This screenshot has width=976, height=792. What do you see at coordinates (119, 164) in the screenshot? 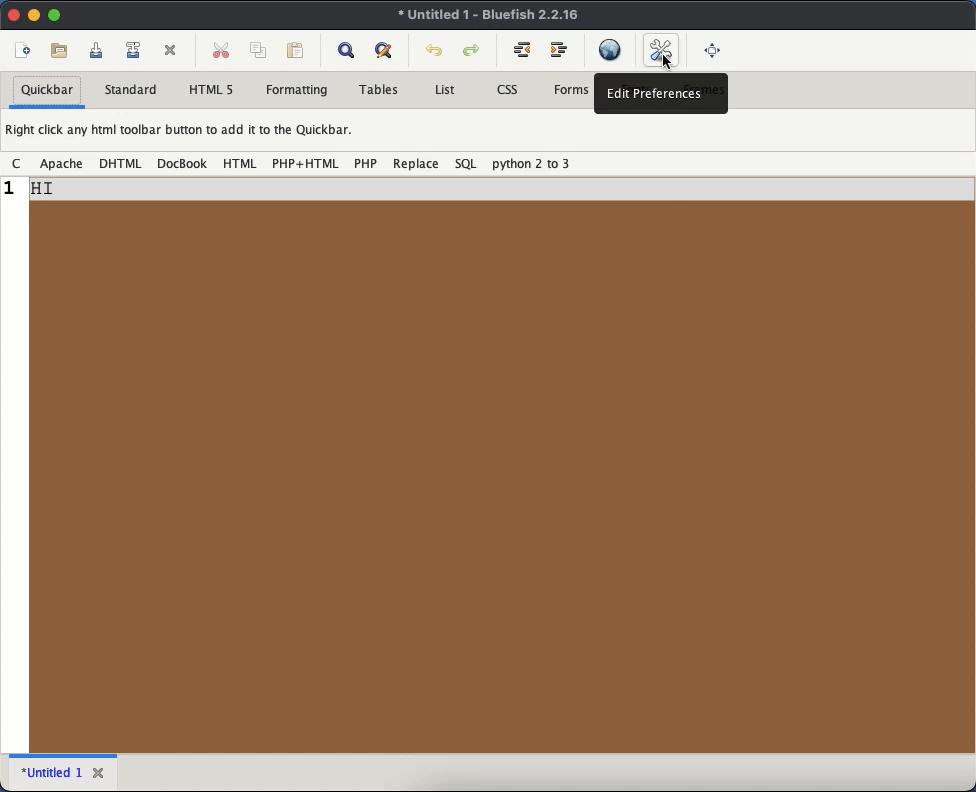
I see `dhtml` at bounding box center [119, 164].